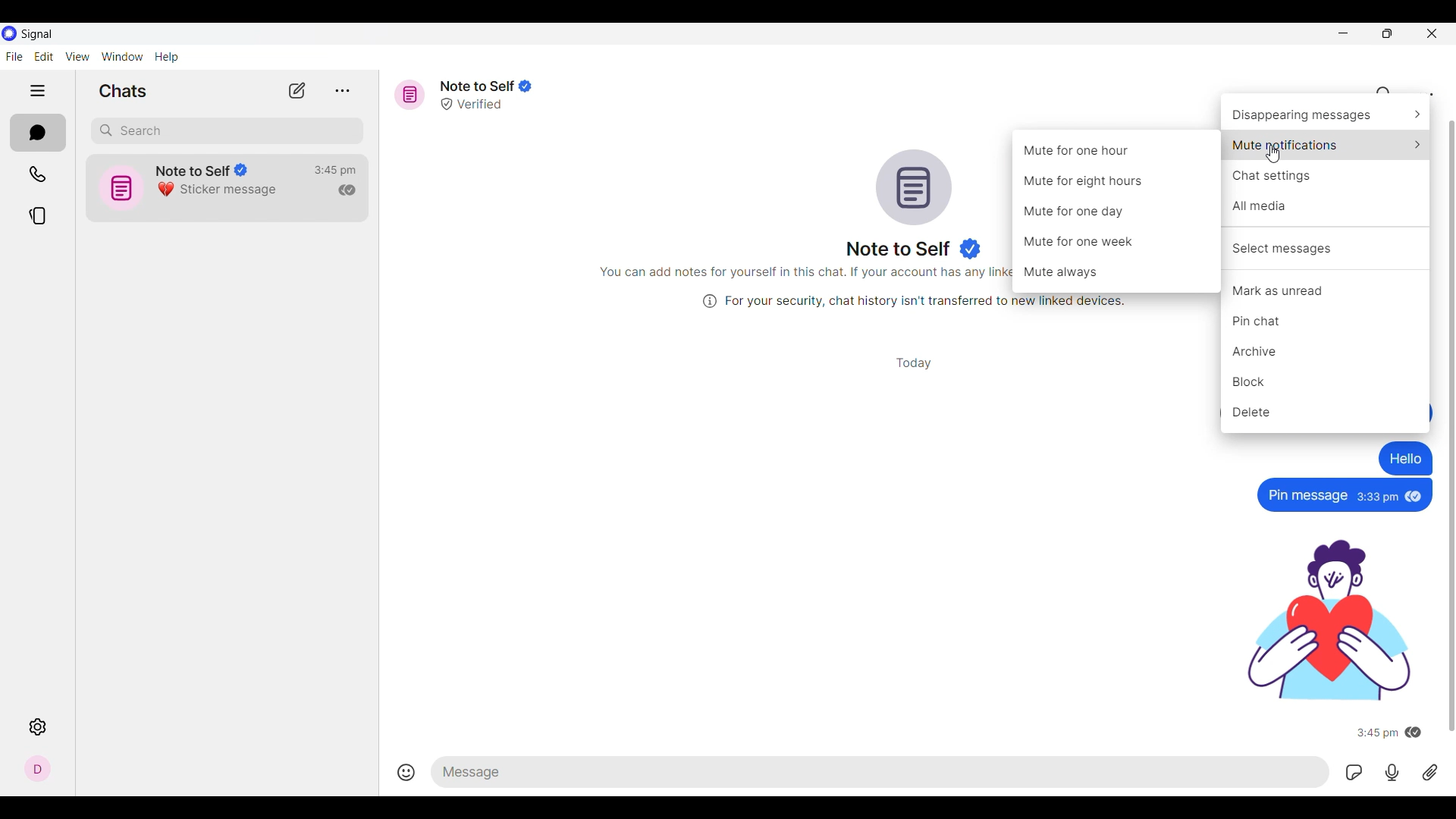 This screenshot has width=1456, height=819. Describe the element at coordinates (1377, 497) in the screenshot. I see `3:33pm` at that location.